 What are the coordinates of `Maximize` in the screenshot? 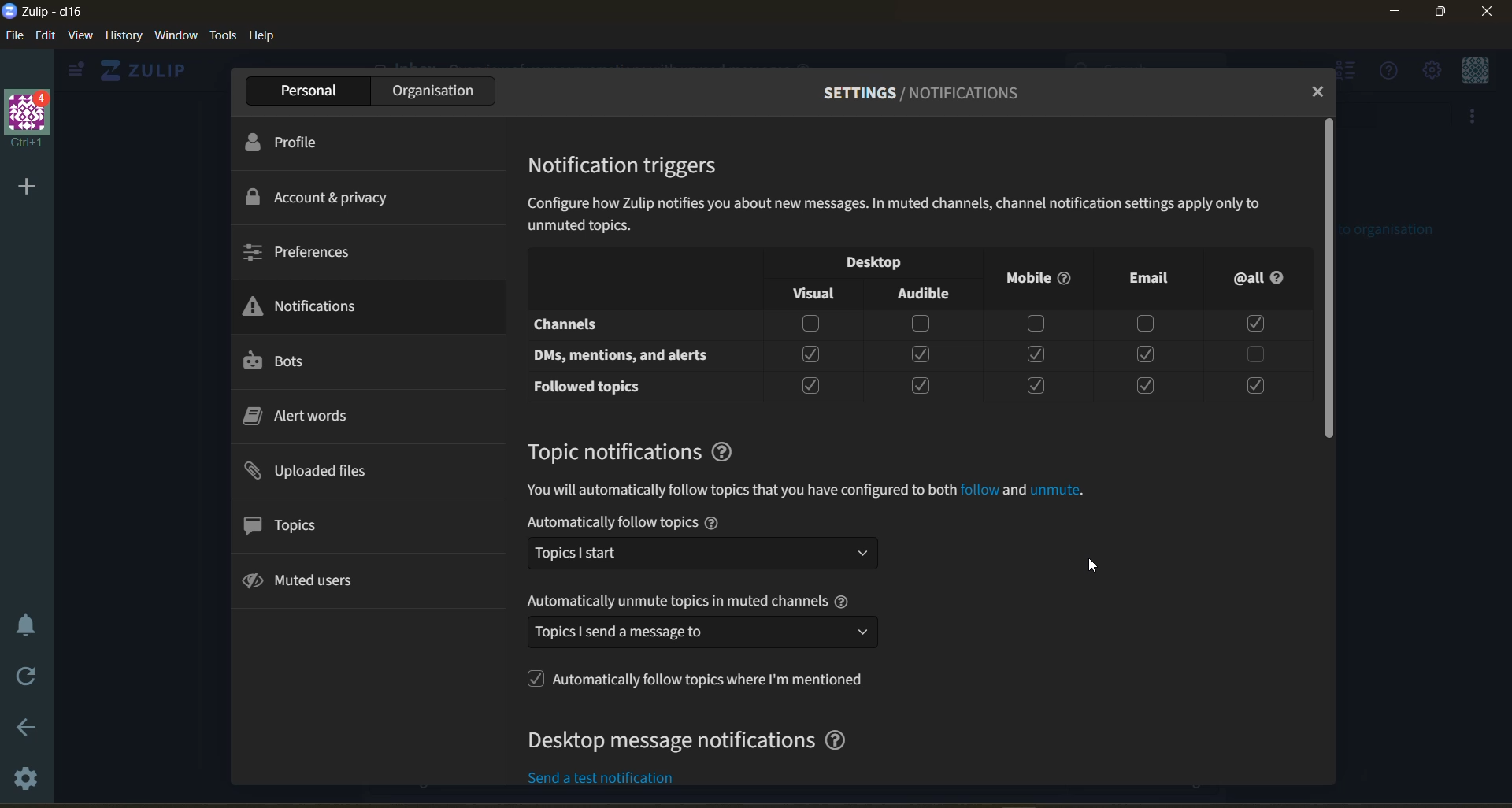 It's located at (1444, 15).